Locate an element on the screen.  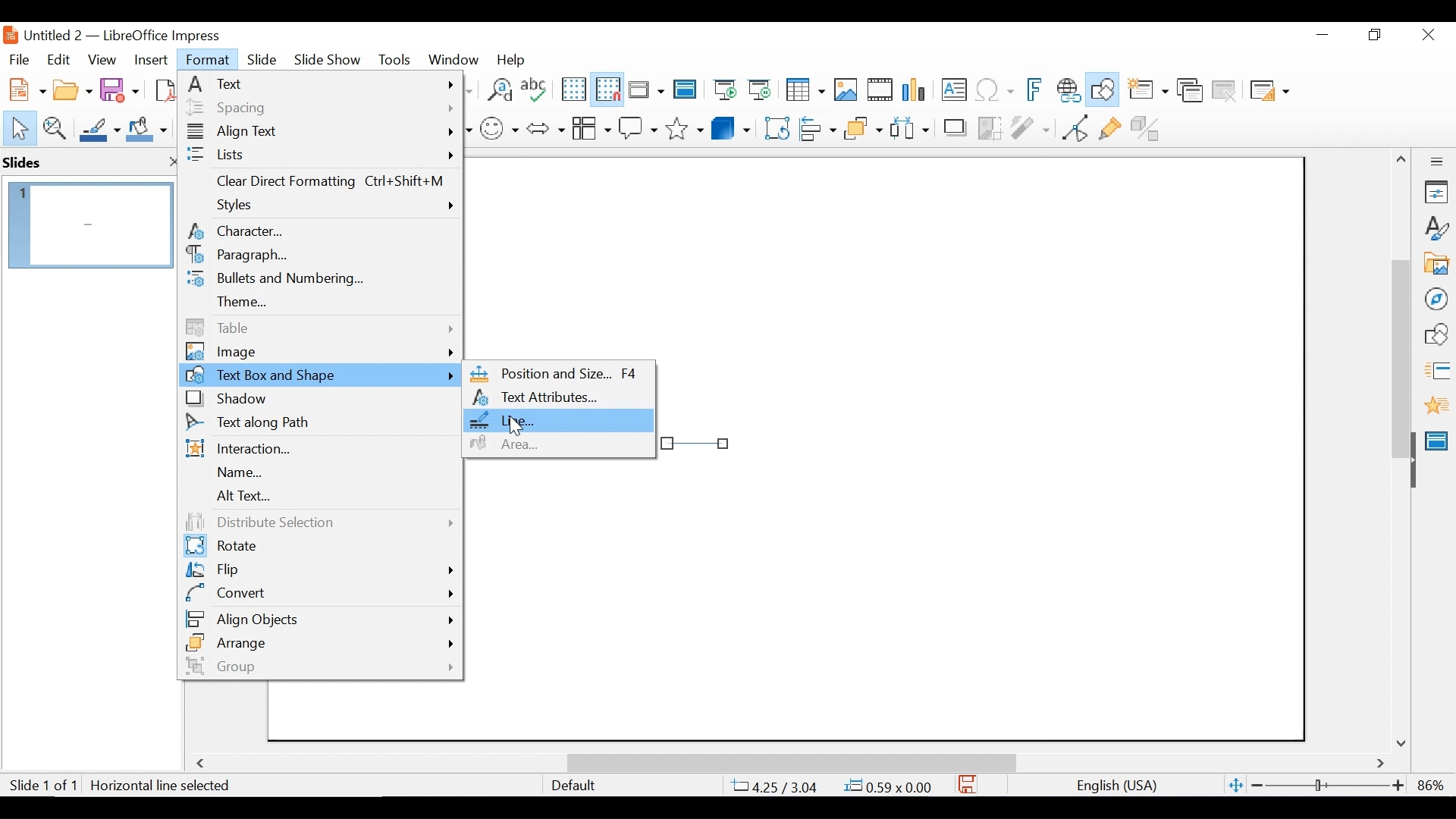
Insert Textbox is located at coordinates (952, 91).